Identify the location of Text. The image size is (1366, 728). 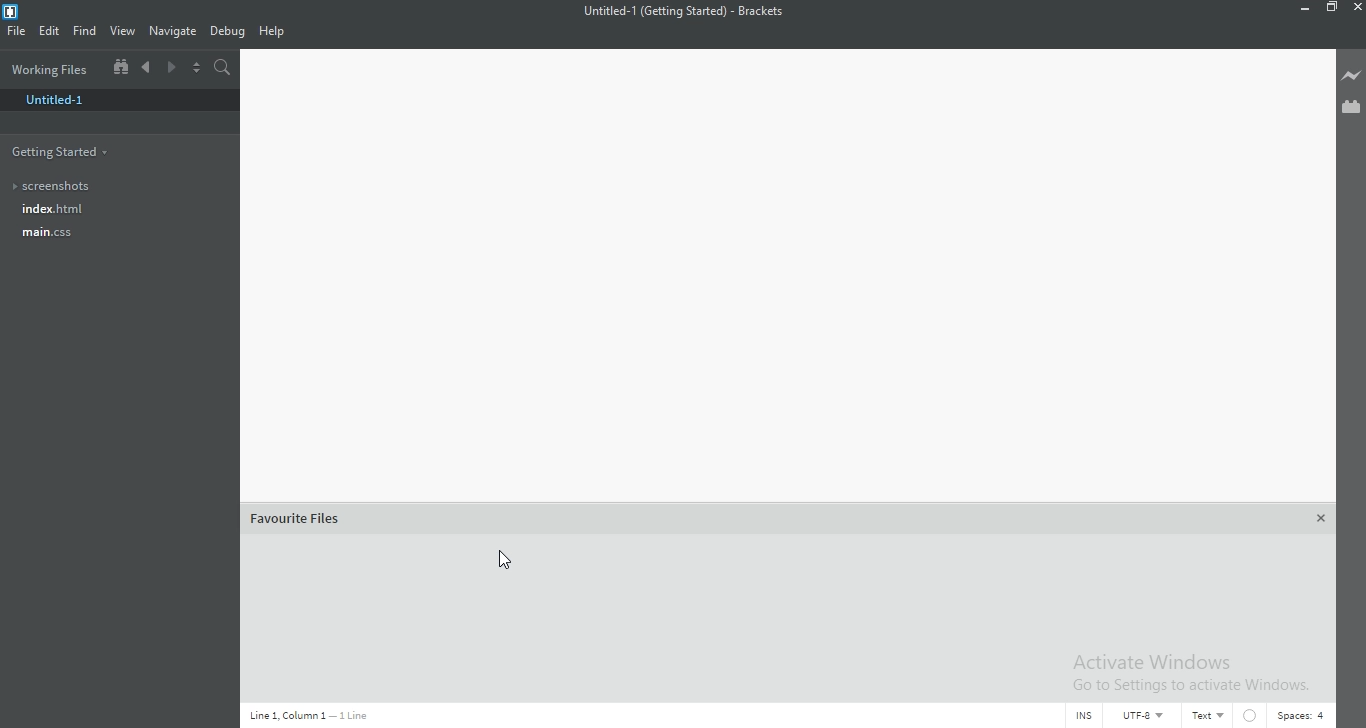
(1213, 713).